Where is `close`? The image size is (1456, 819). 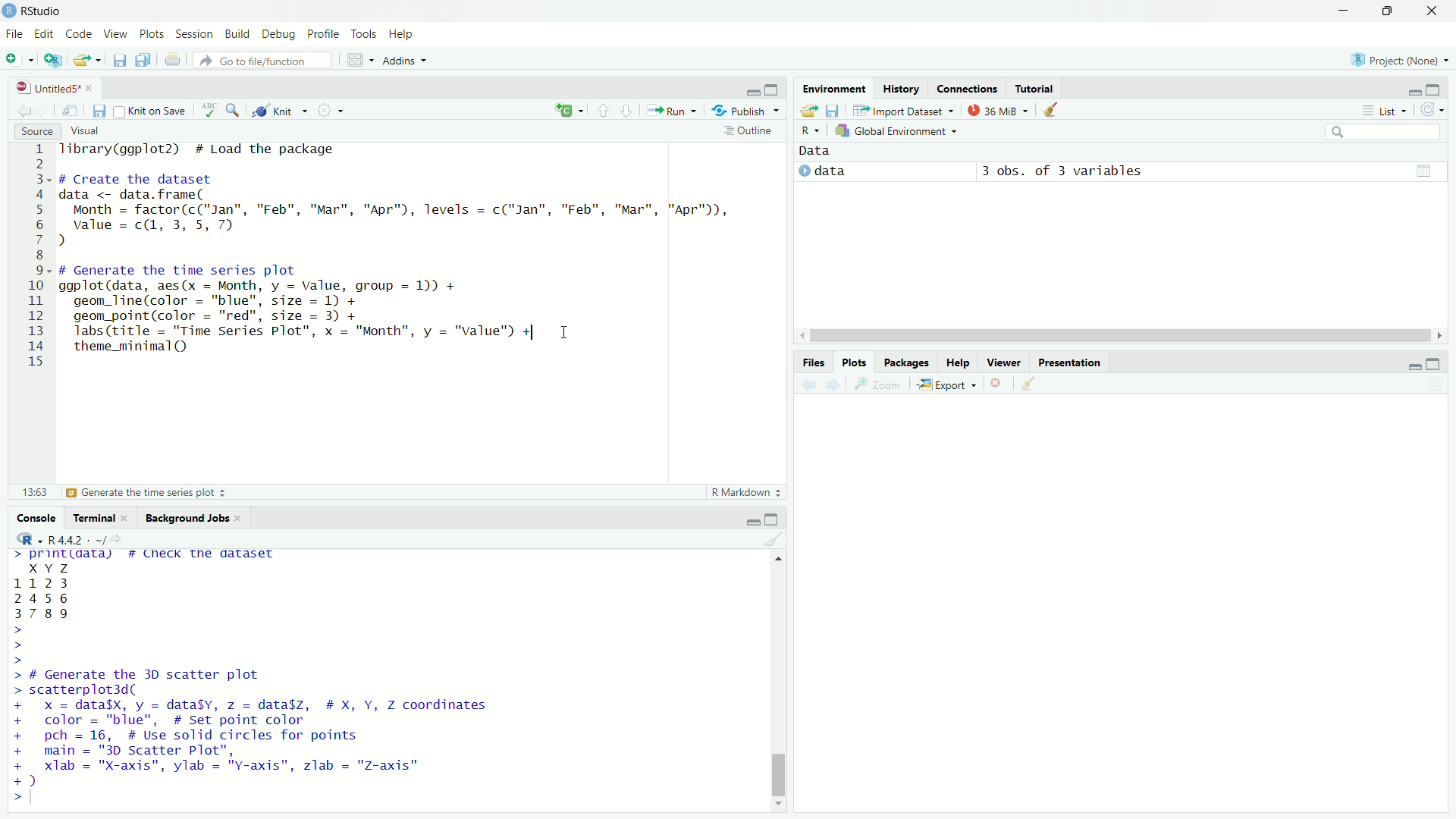
close is located at coordinates (129, 518).